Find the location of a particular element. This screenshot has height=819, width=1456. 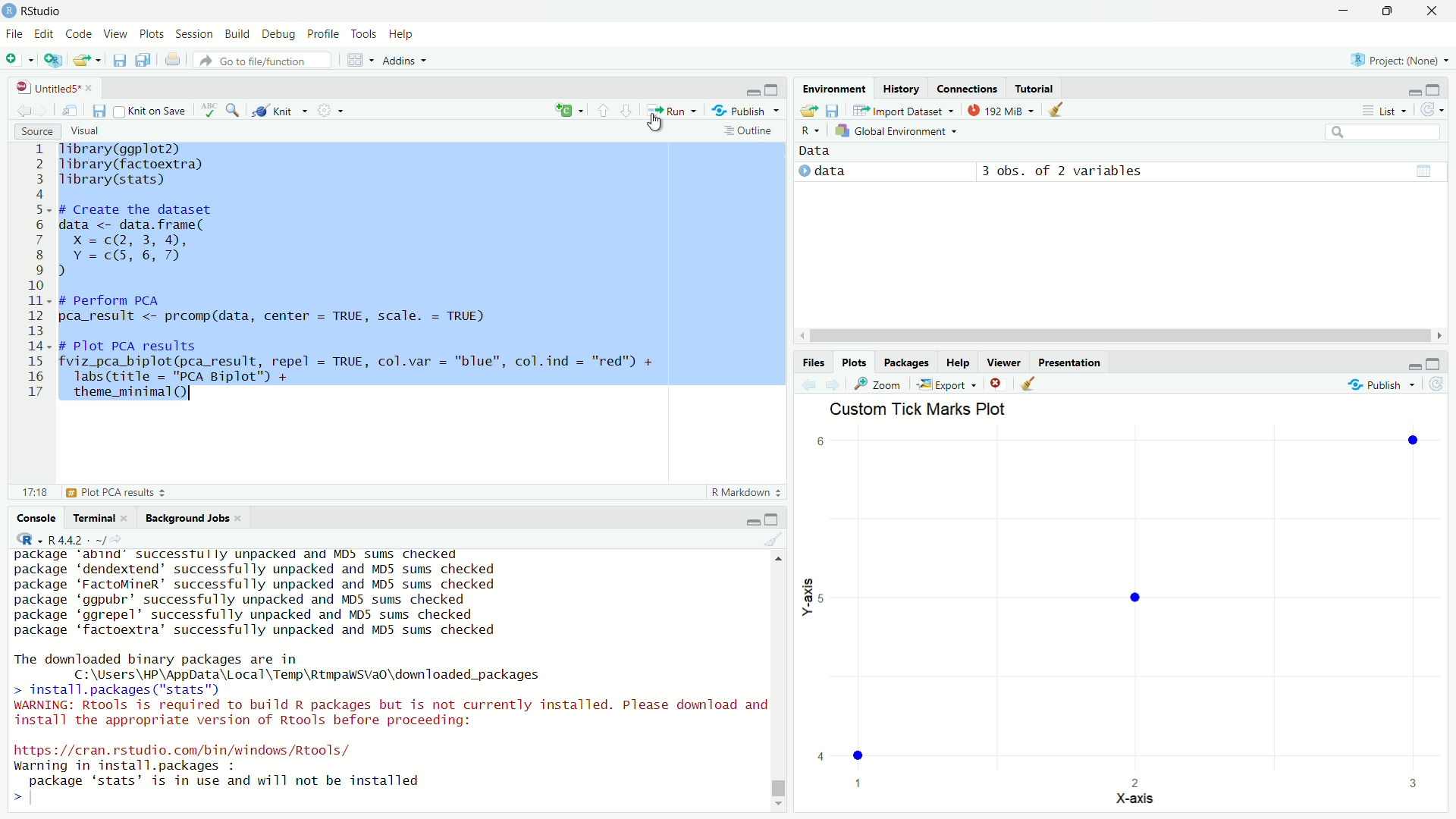

Code is located at coordinates (80, 35).